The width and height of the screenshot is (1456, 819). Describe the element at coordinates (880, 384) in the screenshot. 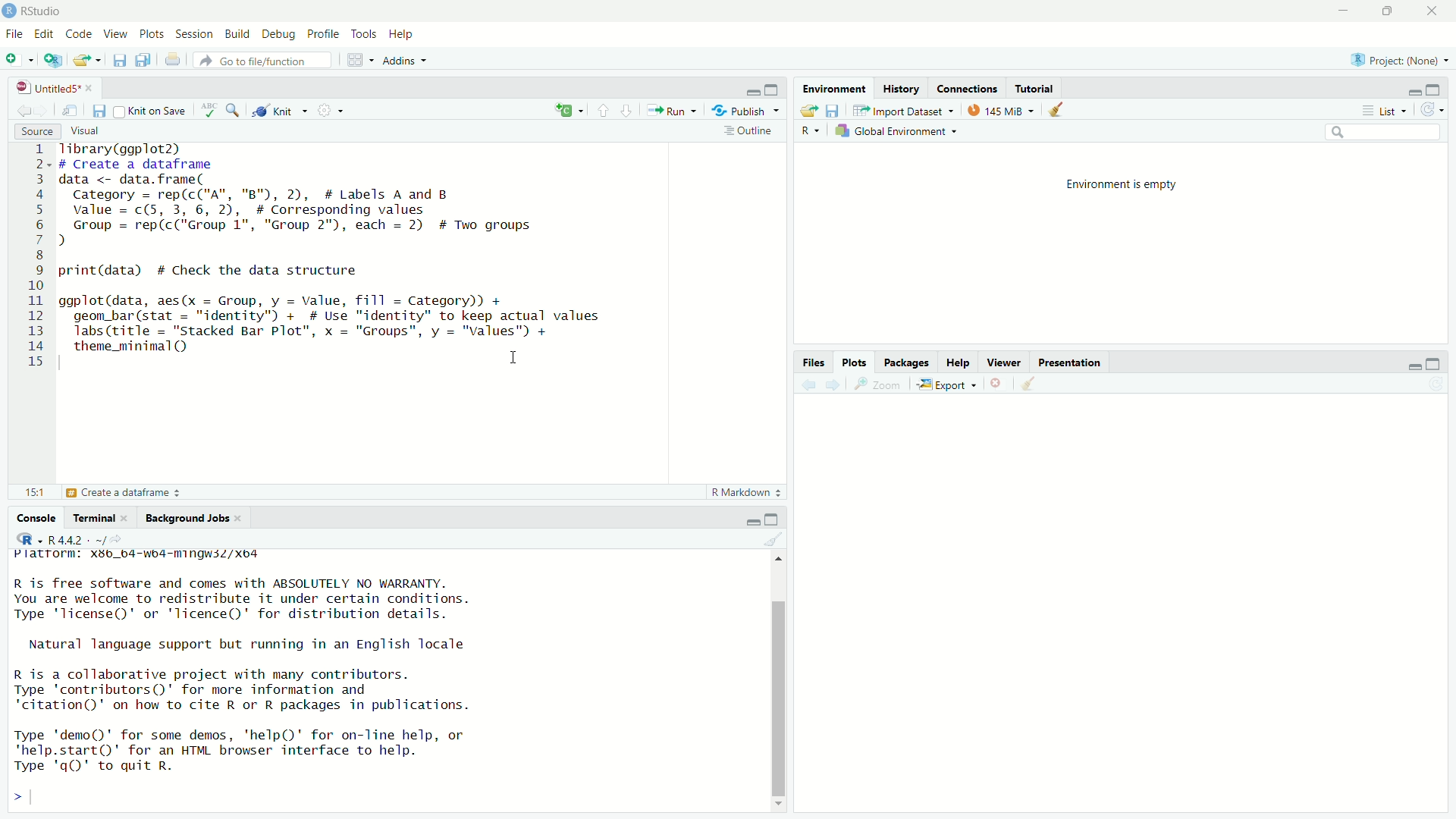

I see `Zoom` at that location.